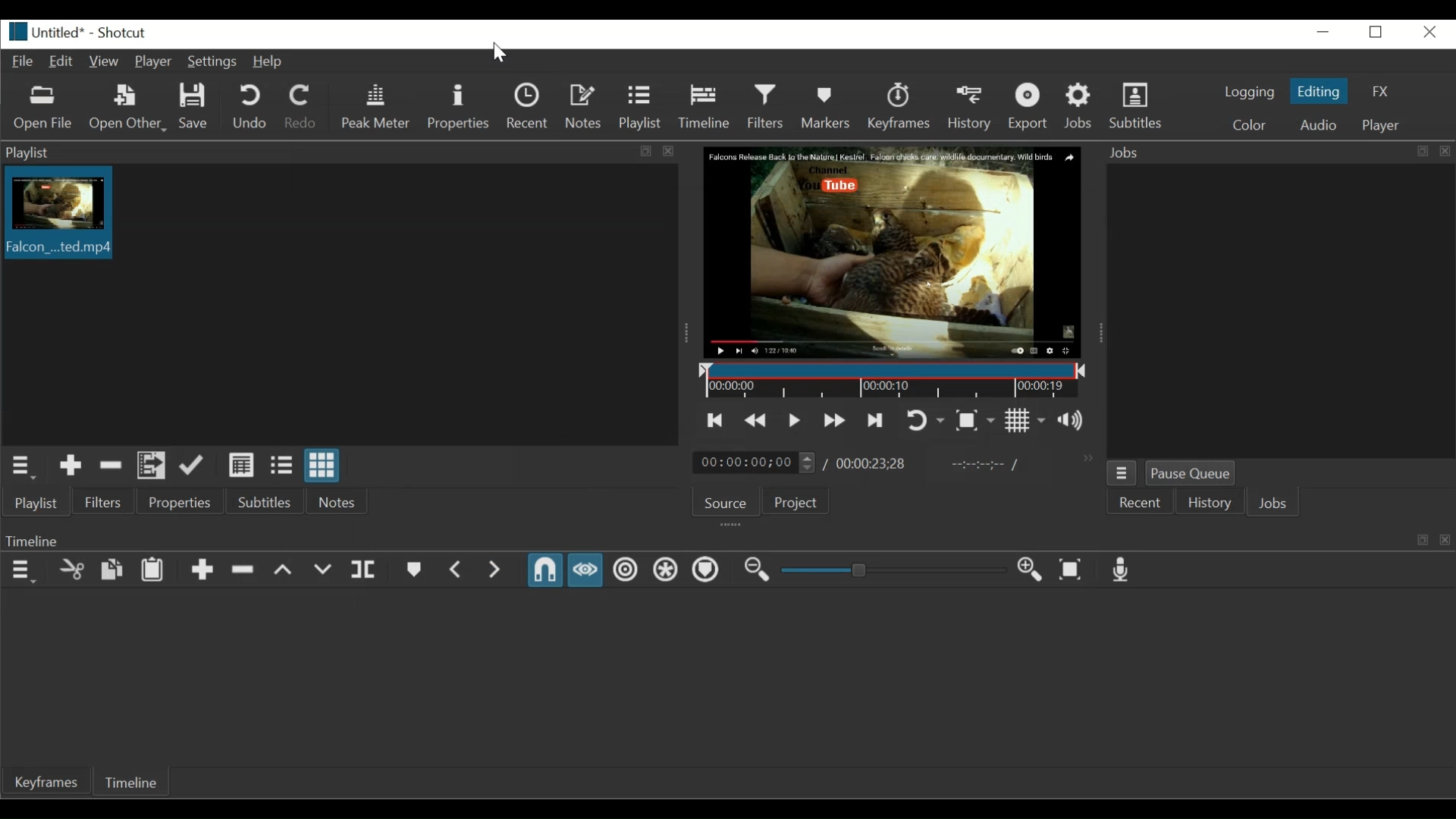 Image resolution: width=1456 pixels, height=819 pixels. I want to click on Toggle player looping, so click(924, 419).